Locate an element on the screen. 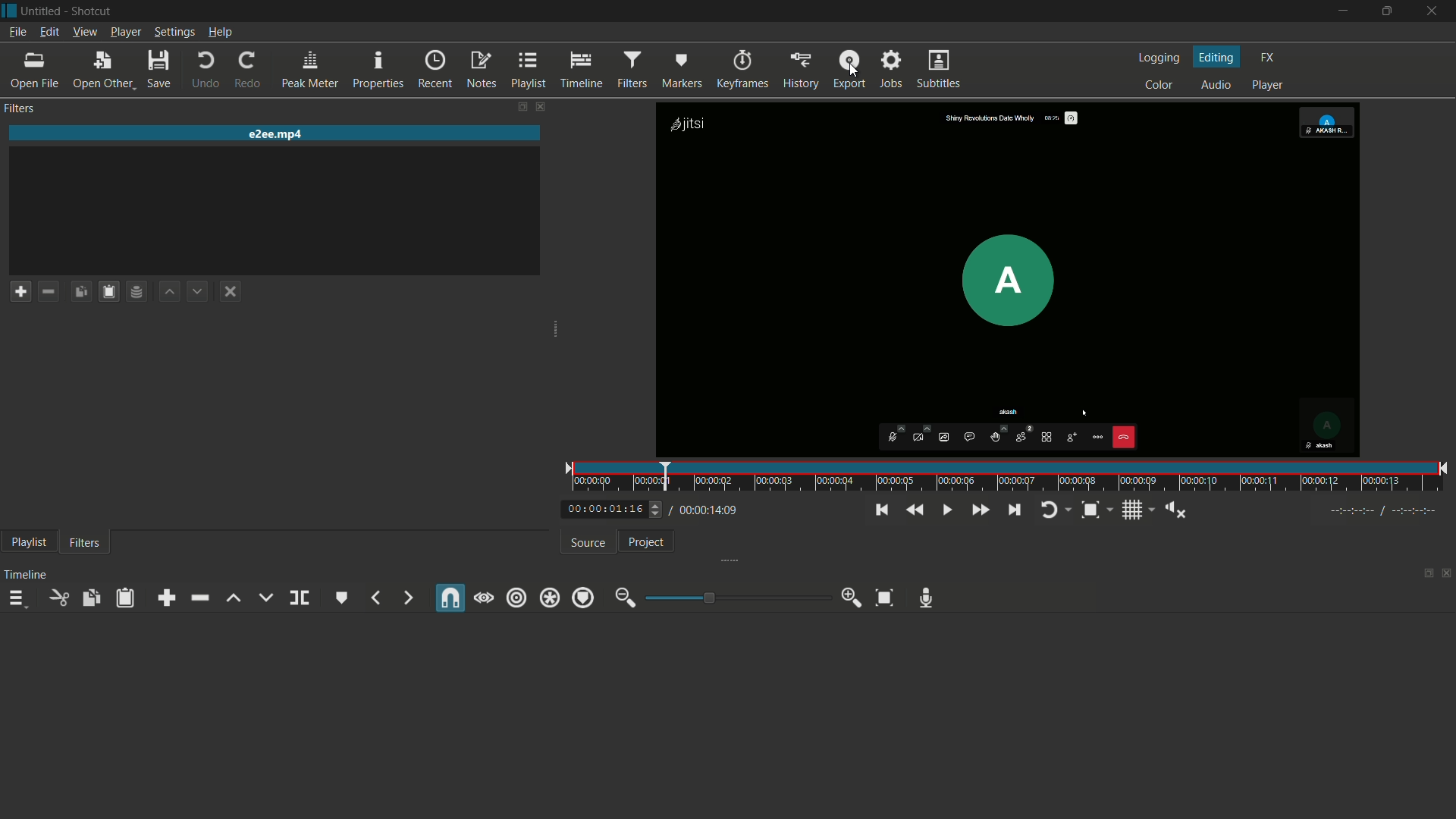 This screenshot has height=819, width=1456. play quickly backward is located at coordinates (912, 510).